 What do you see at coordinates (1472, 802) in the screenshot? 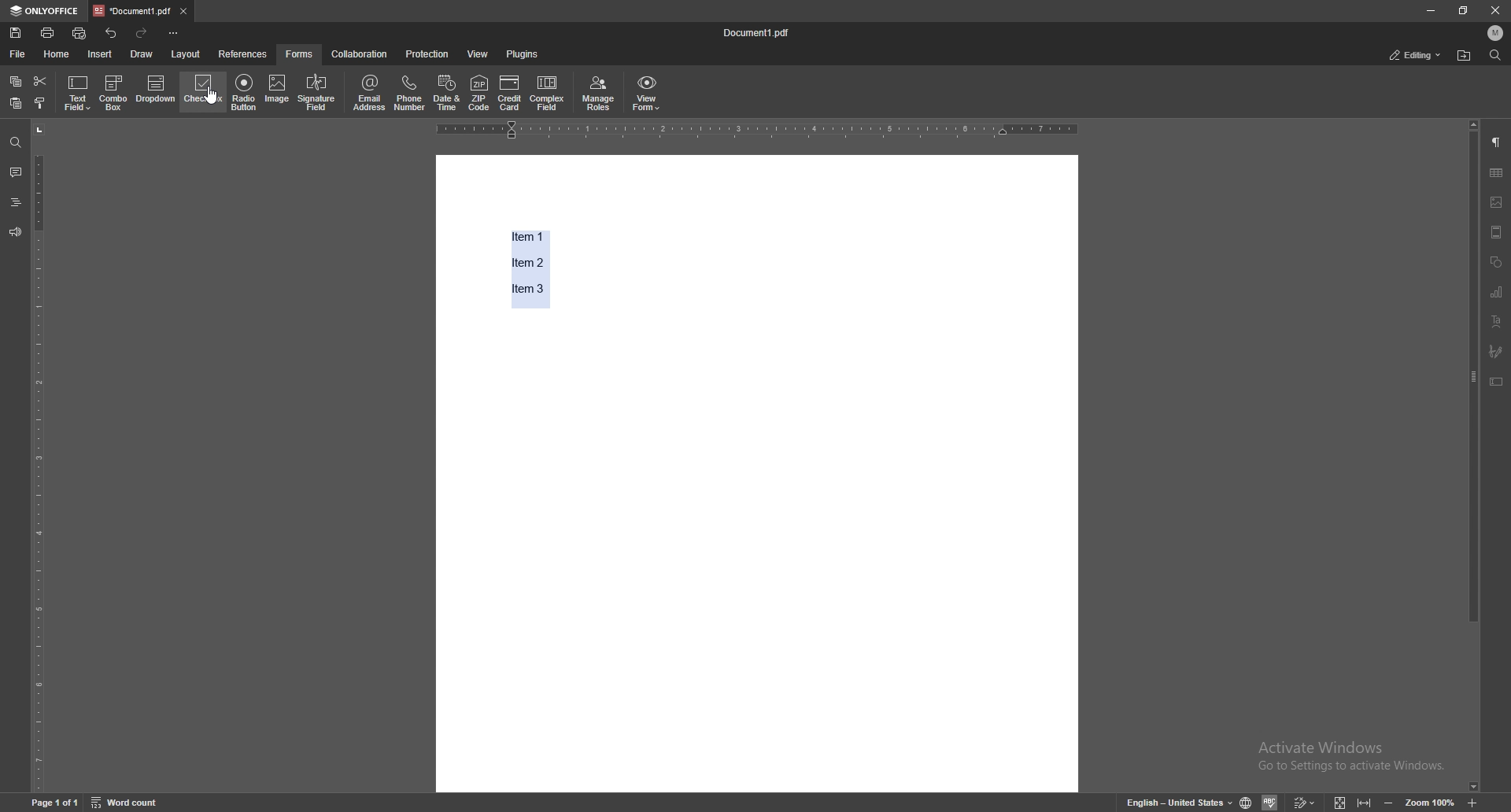
I see `zoom in` at bounding box center [1472, 802].